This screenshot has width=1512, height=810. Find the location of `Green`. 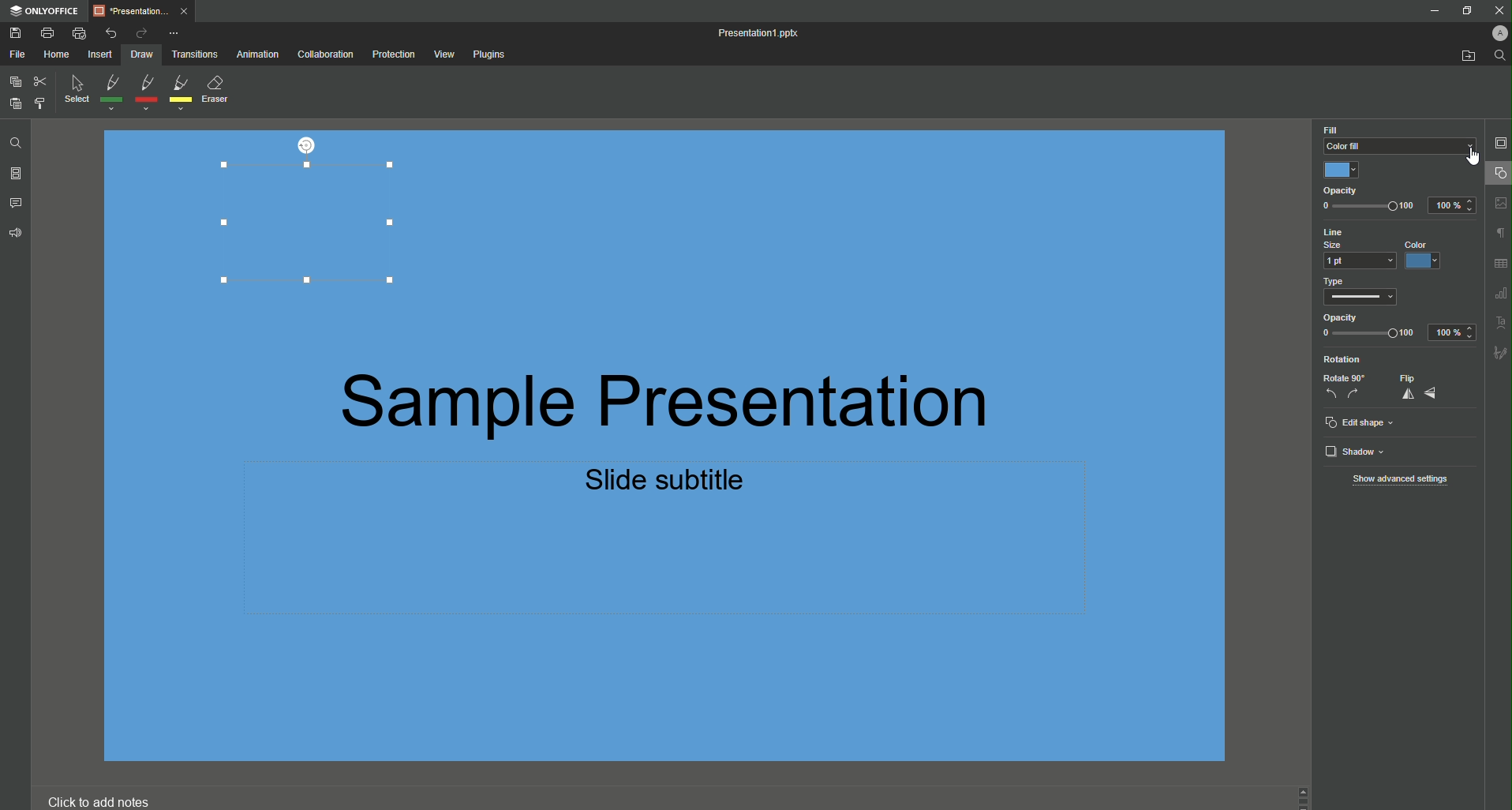

Green is located at coordinates (111, 94).